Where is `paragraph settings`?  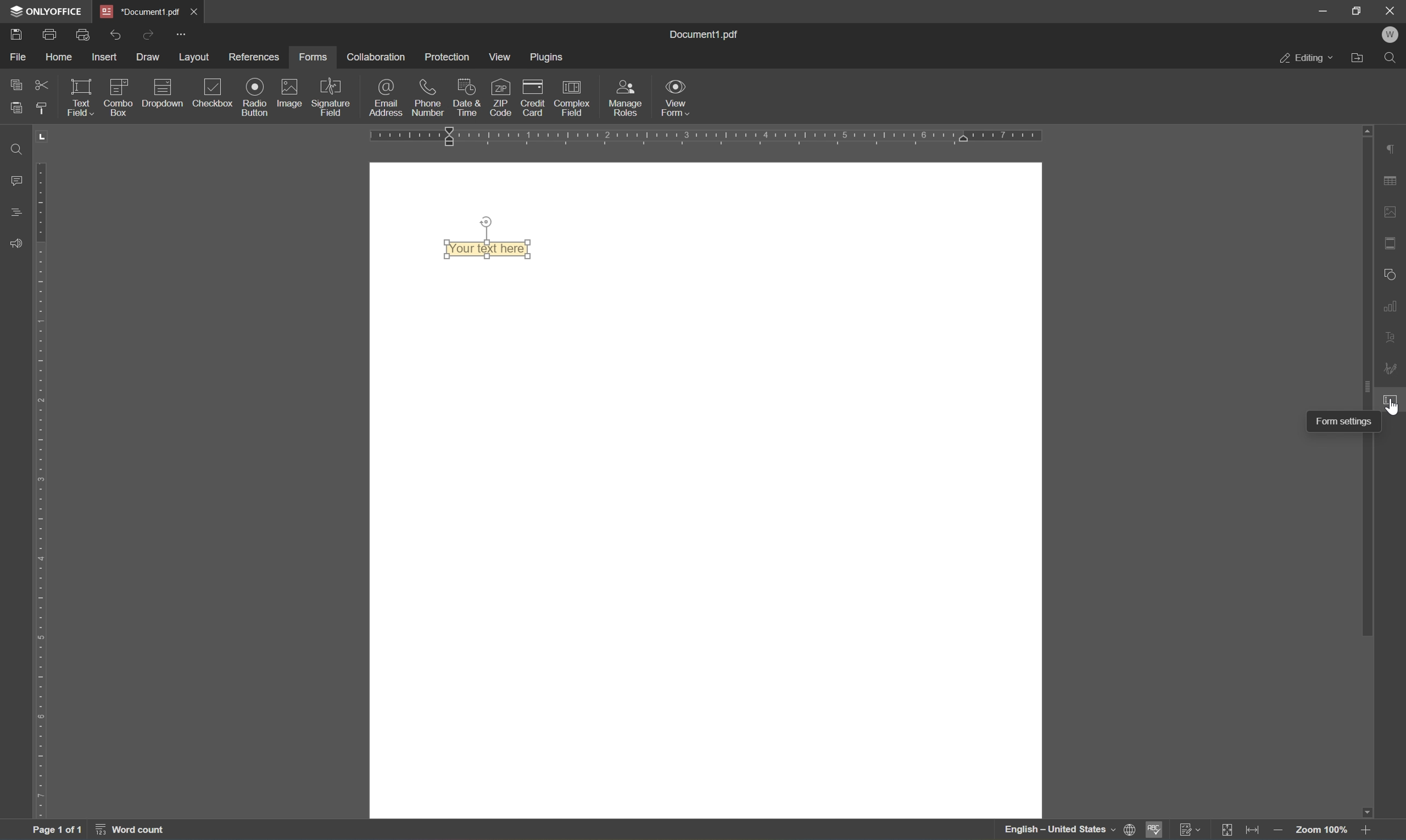 paragraph settings is located at coordinates (1395, 147).